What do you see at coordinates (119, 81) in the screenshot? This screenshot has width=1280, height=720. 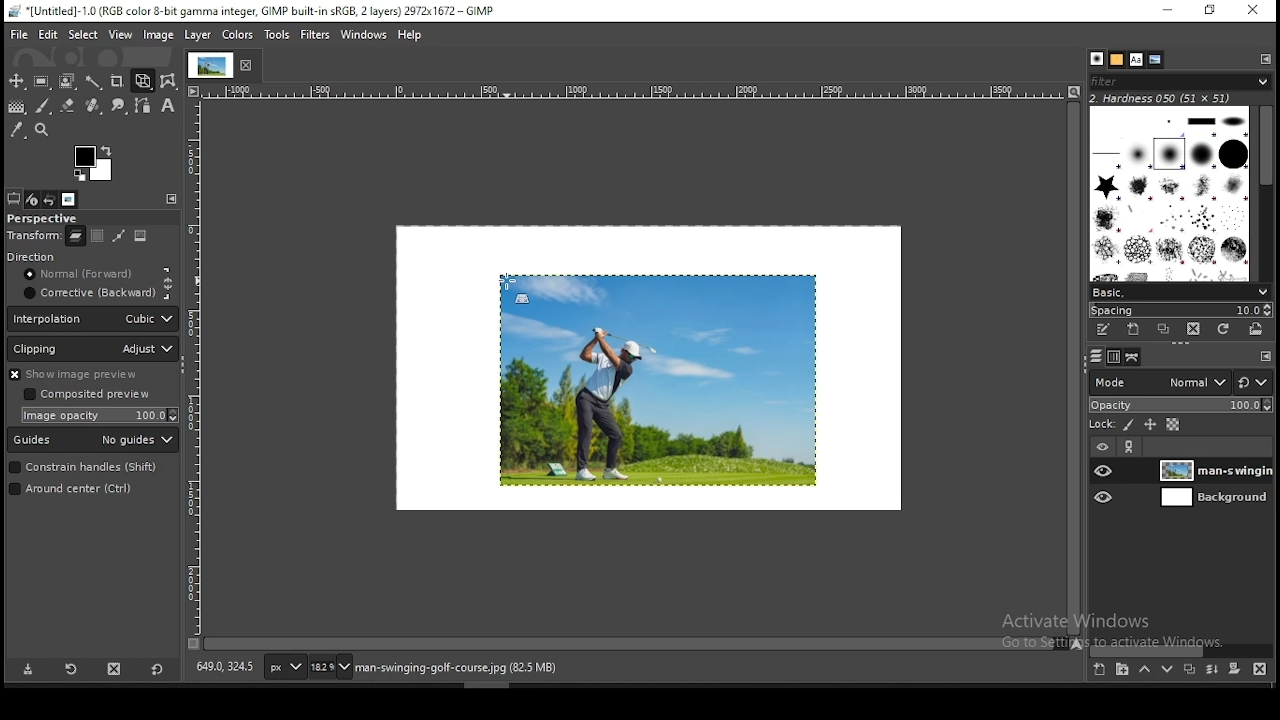 I see `crop tool` at bounding box center [119, 81].